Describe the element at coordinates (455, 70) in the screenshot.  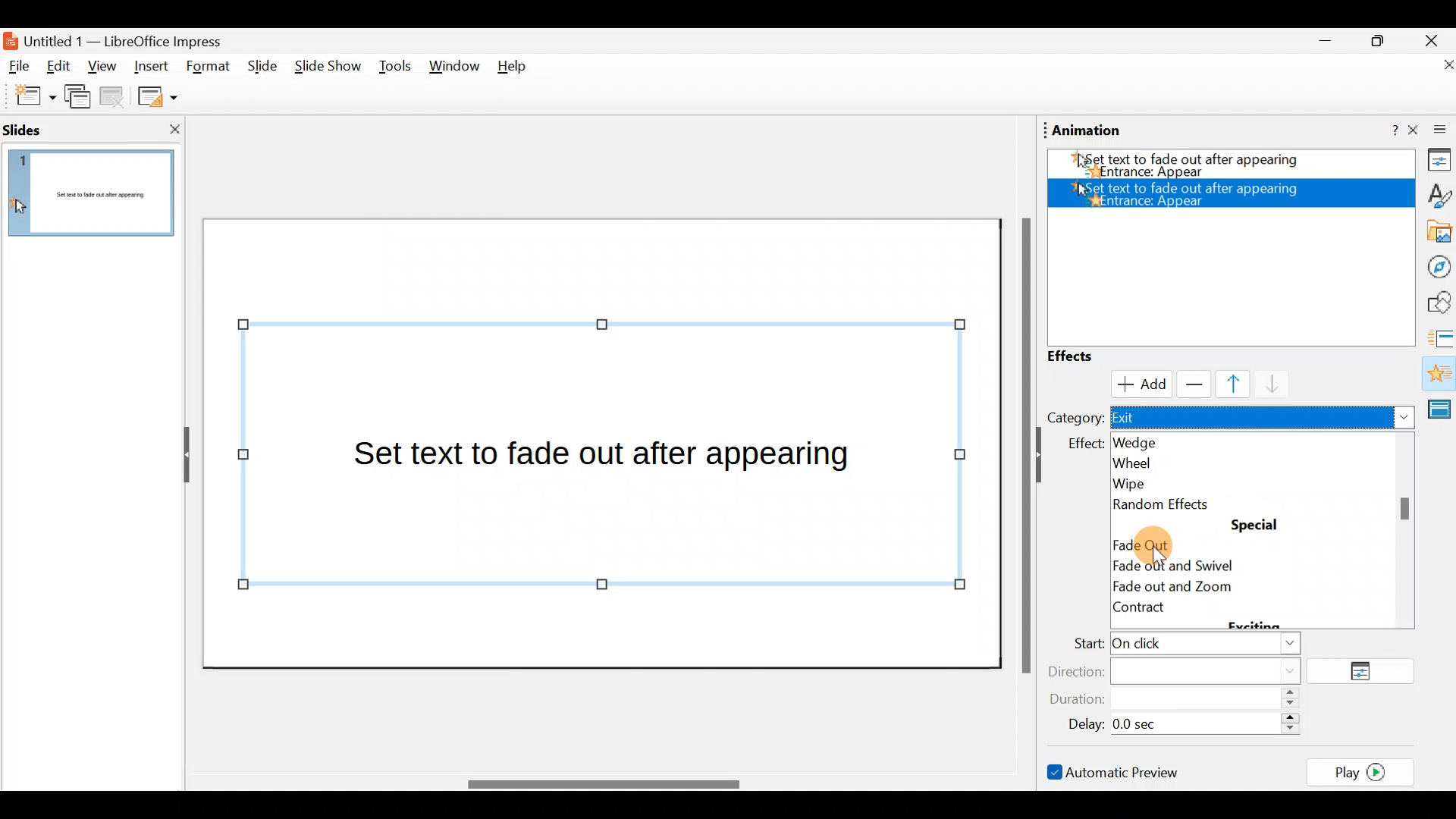
I see `Window` at that location.